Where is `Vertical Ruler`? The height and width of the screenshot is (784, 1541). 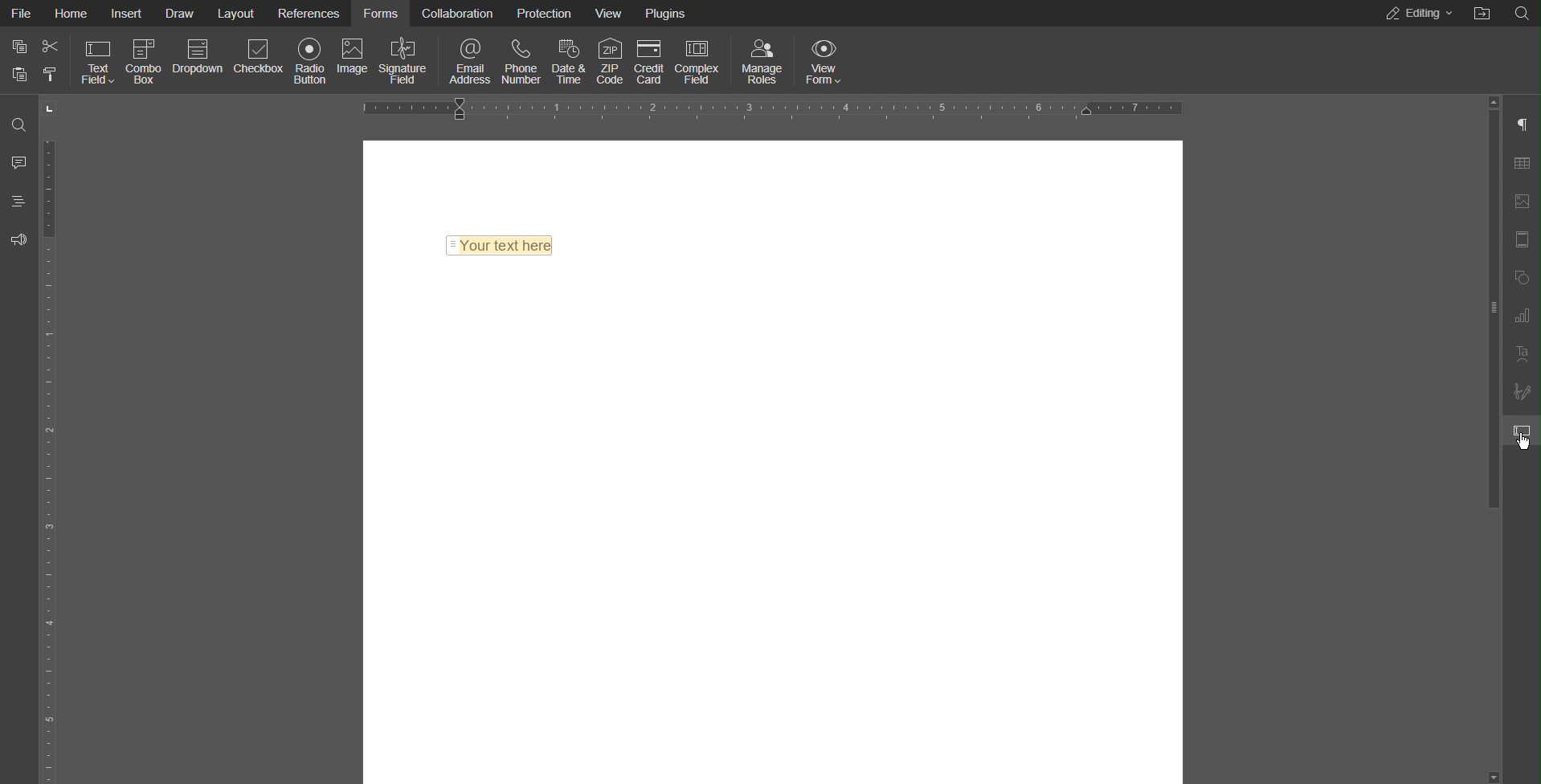 Vertical Ruler is located at coordinates (51, 440).